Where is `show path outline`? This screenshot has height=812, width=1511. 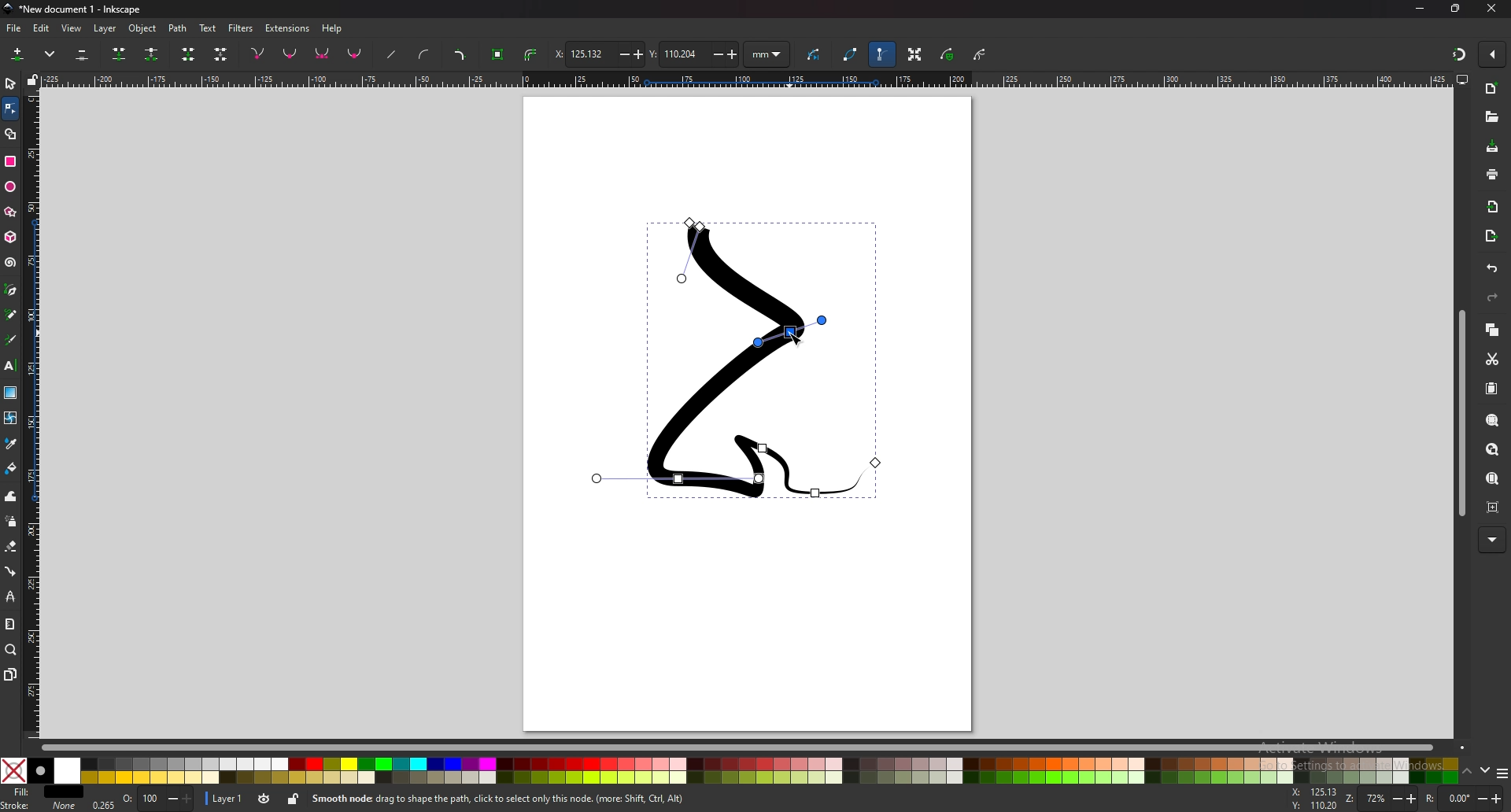
show path outline is located at coordinates (851, 54).